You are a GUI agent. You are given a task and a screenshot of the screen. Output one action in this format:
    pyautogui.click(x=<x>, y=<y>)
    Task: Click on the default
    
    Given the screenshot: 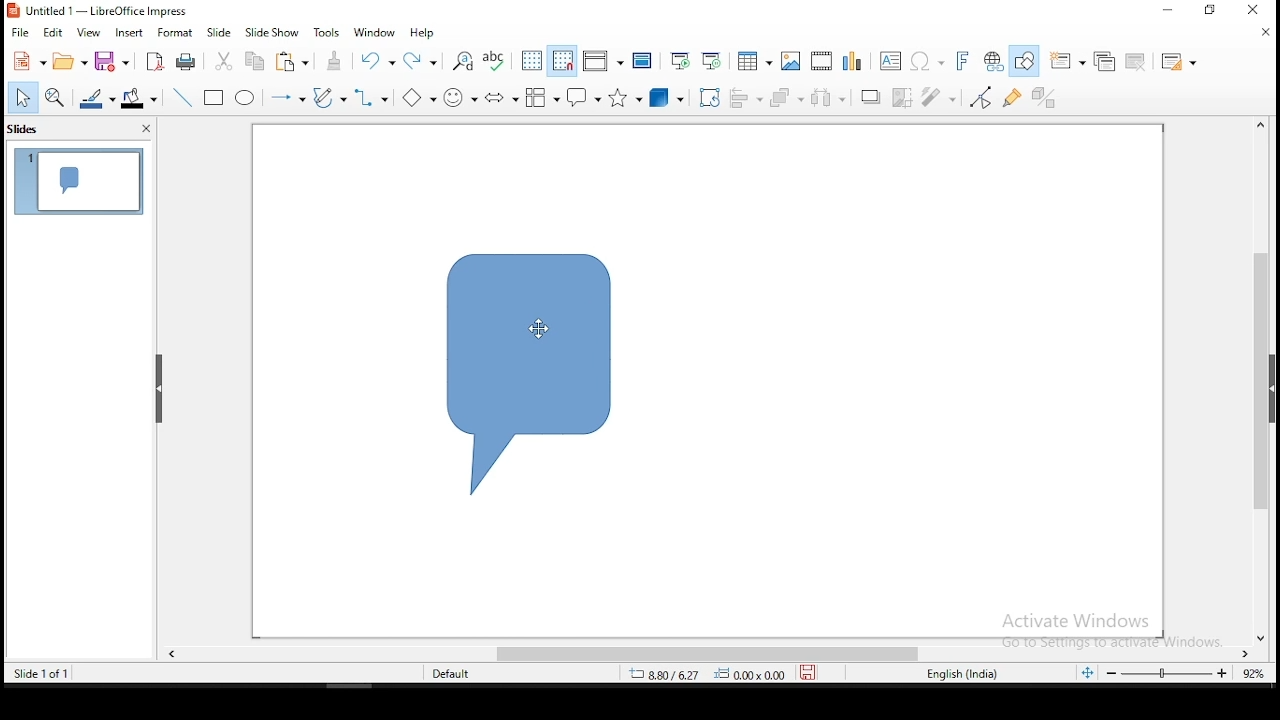 What is the action you would take?
    pyautogui.click(x=453, y=674)
    